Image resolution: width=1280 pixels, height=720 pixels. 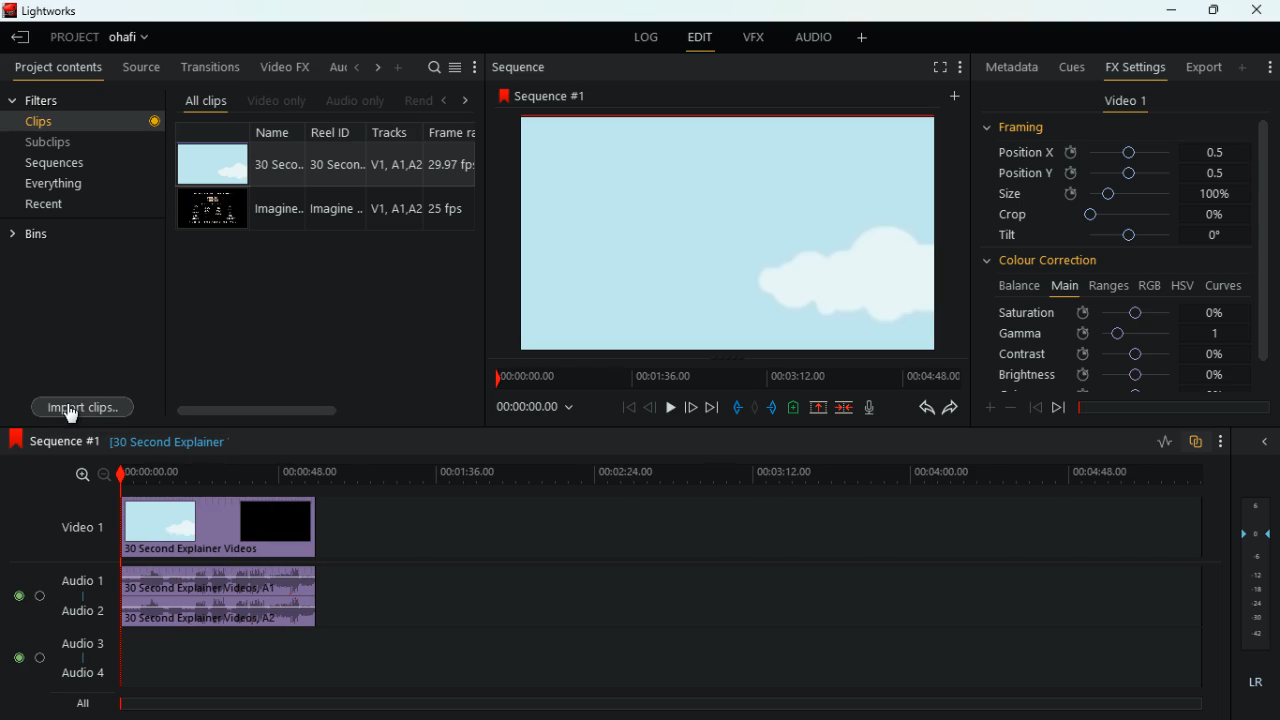 What do you see at coordinates (374, 67) in the screenshot?
I see `right` at bounding box center [374, 67].